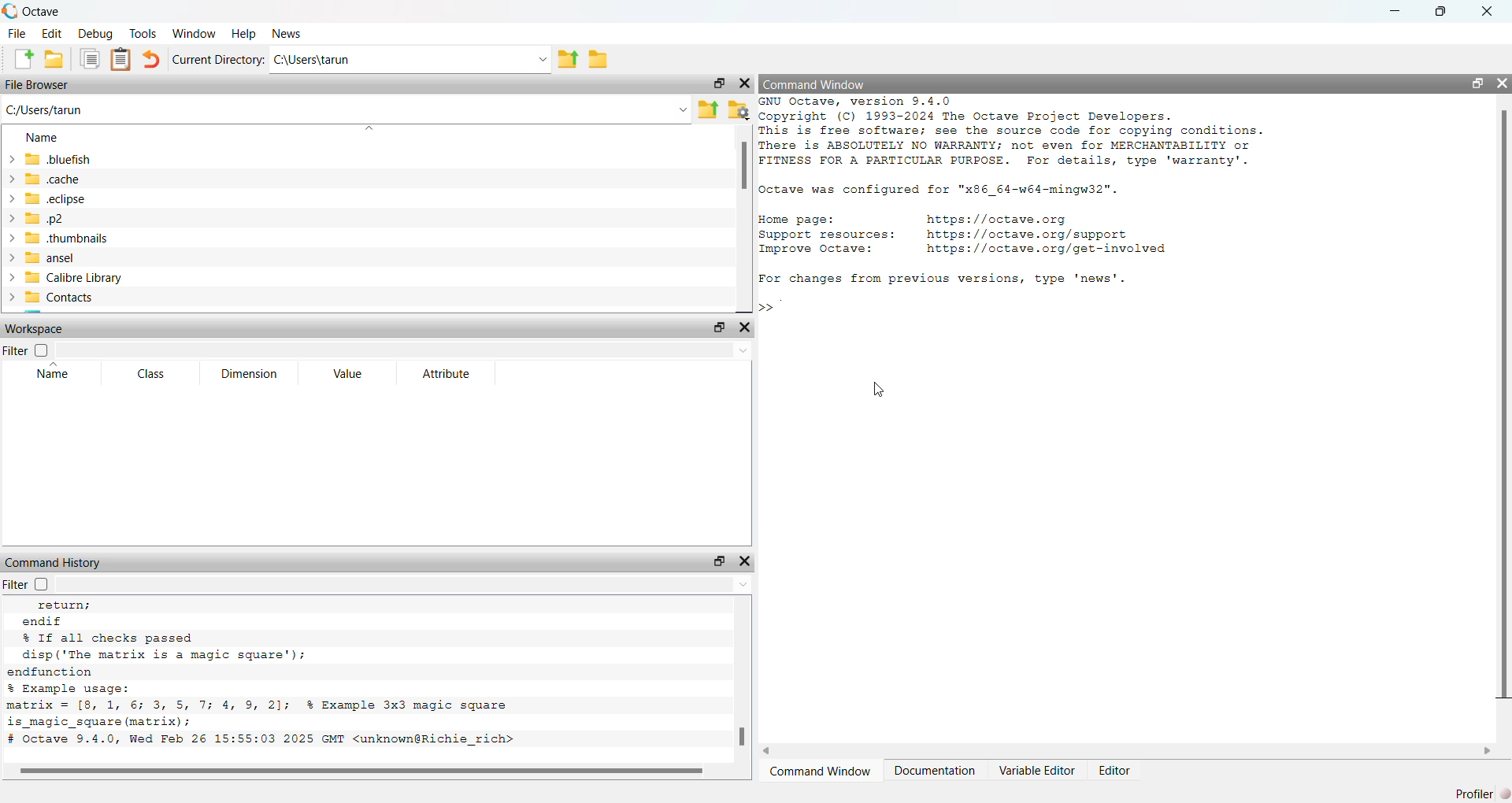  What do you see at coordinates (56, 158) in the screenshot?
I see `.bluefish` at bounding box center [56, 158].